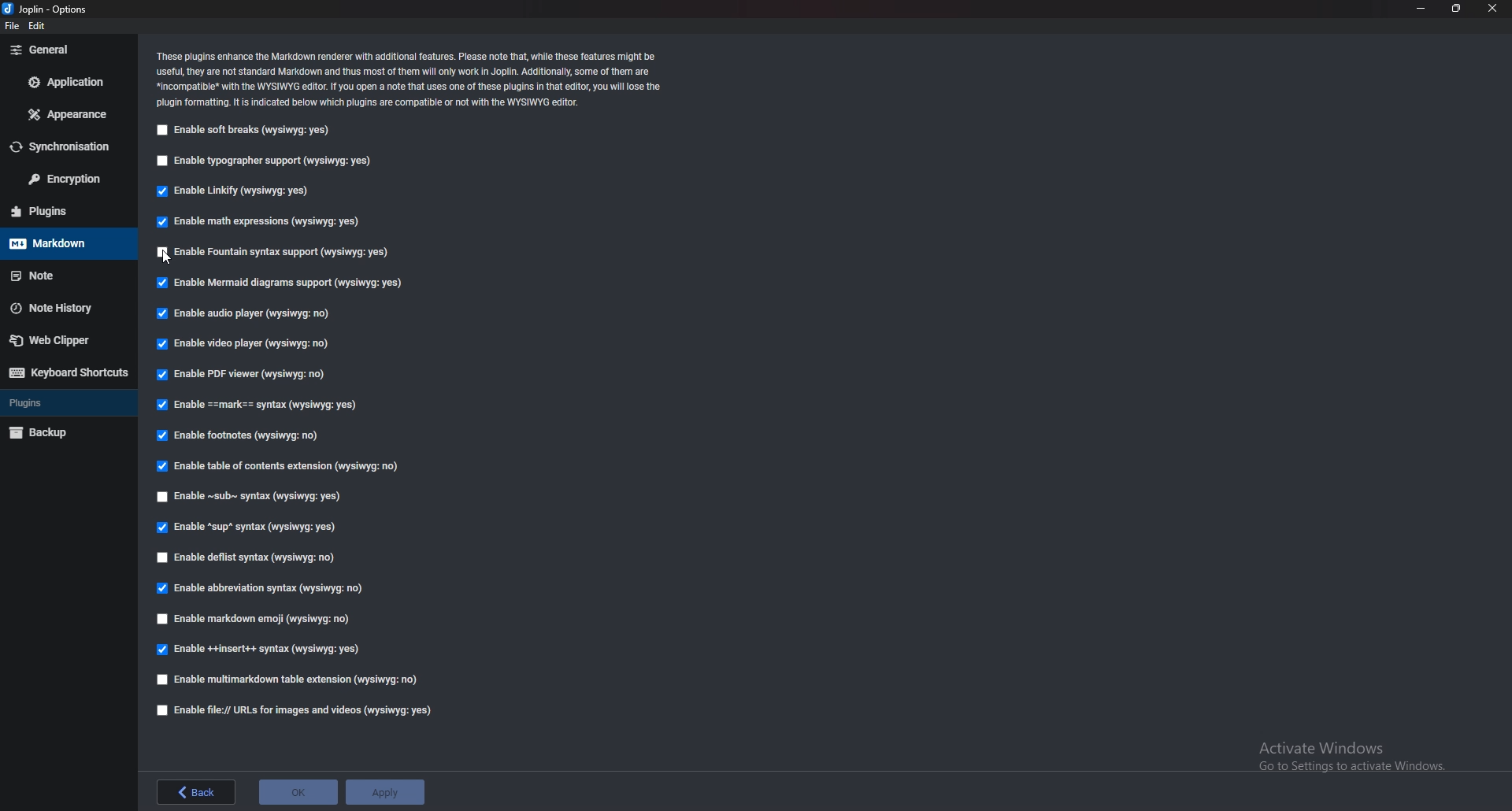 This screenshot has height=811, width=1512. What do you see at coordinates (1455, 9) in the screenshot?
I see `resize` at bounding box center [1455, 9].